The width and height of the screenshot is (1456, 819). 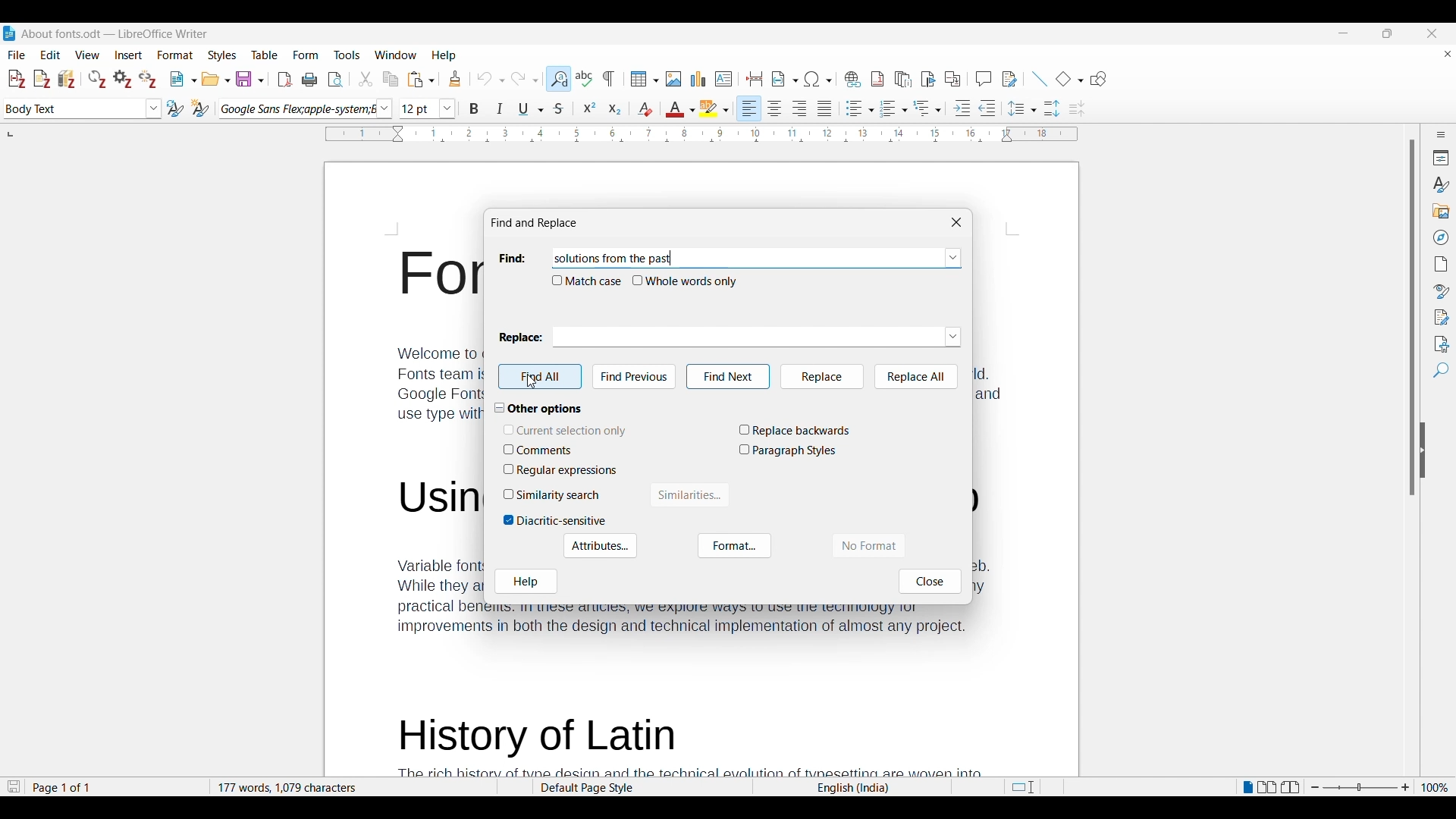 What do you see at coordinates (984, 78) in the screenshot?
I see `Insert comment` at bounding box center [984, 78].